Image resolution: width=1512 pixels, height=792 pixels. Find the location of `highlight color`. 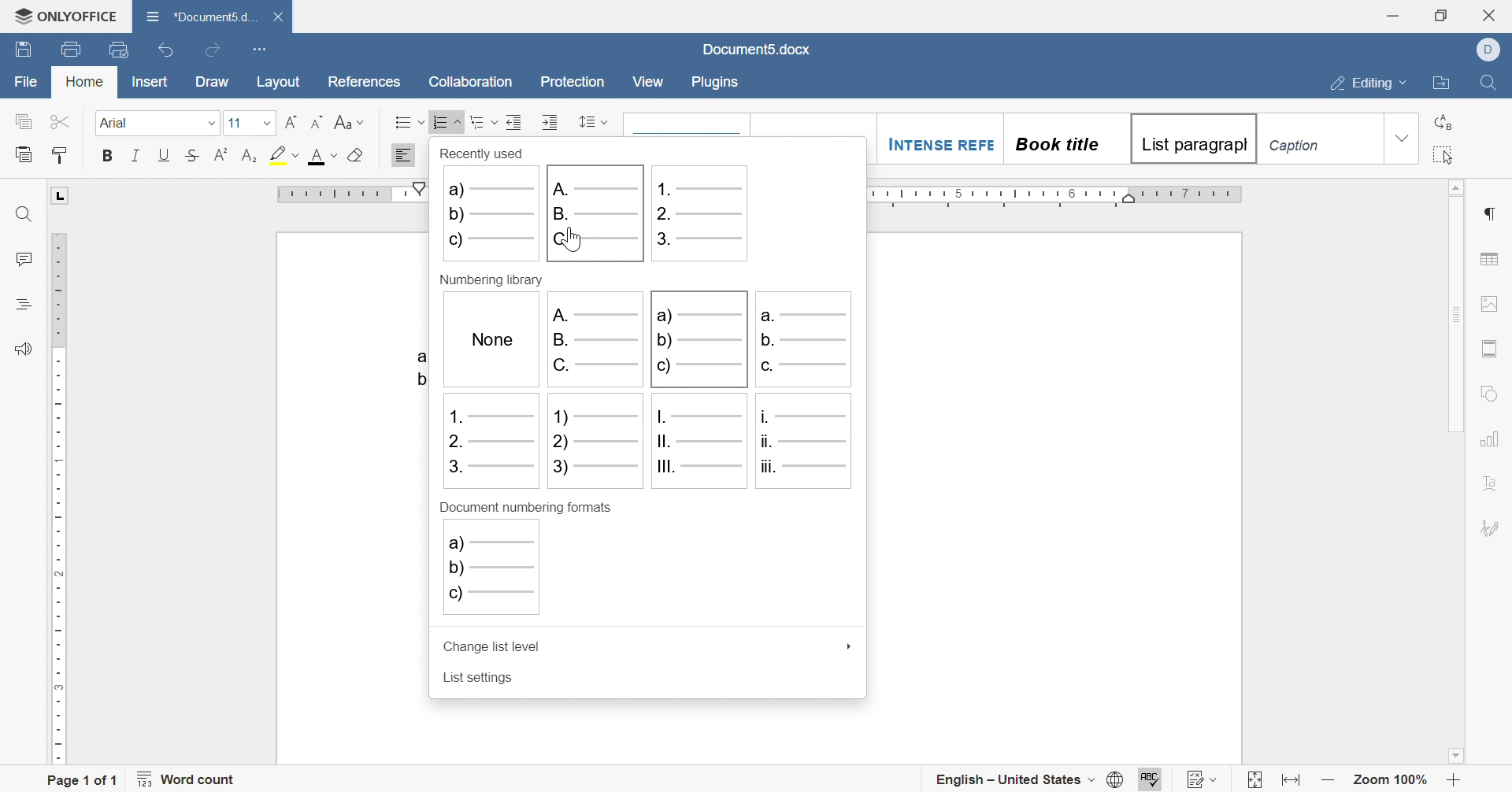

highlight color is located at coordinates (286, 154).